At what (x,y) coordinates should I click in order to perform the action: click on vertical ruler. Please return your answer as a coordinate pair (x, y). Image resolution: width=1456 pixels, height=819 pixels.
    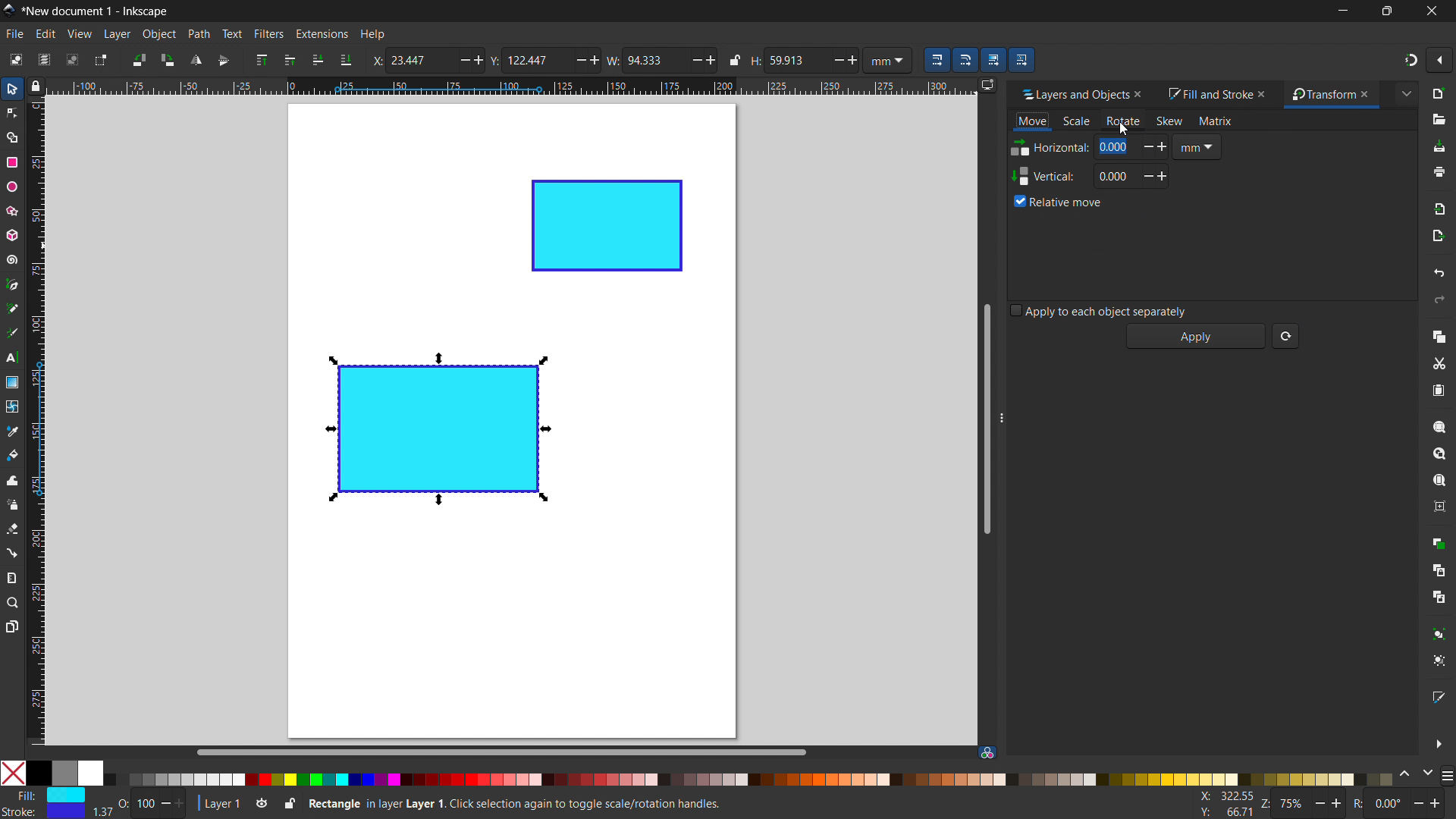
    Looking at the image, I should click on (36, 424).